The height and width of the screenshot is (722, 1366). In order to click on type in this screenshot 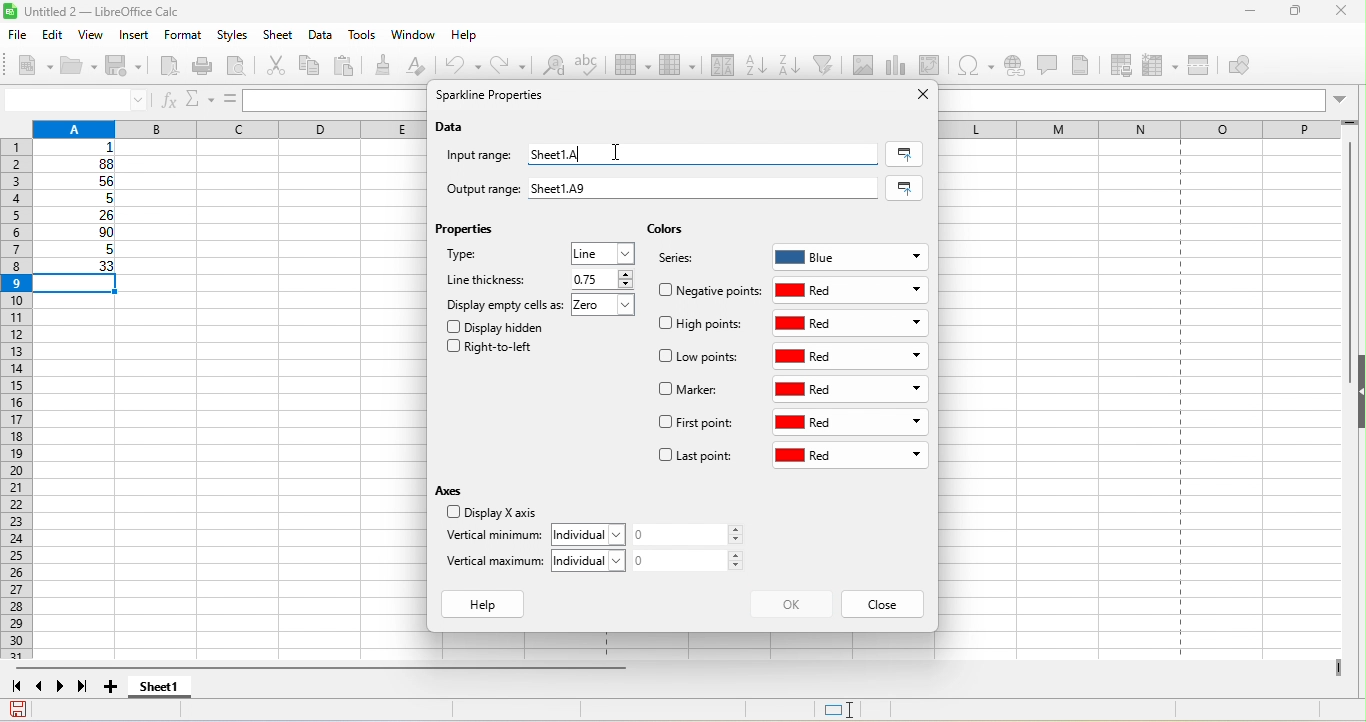, I will do `click(486, 258)`.